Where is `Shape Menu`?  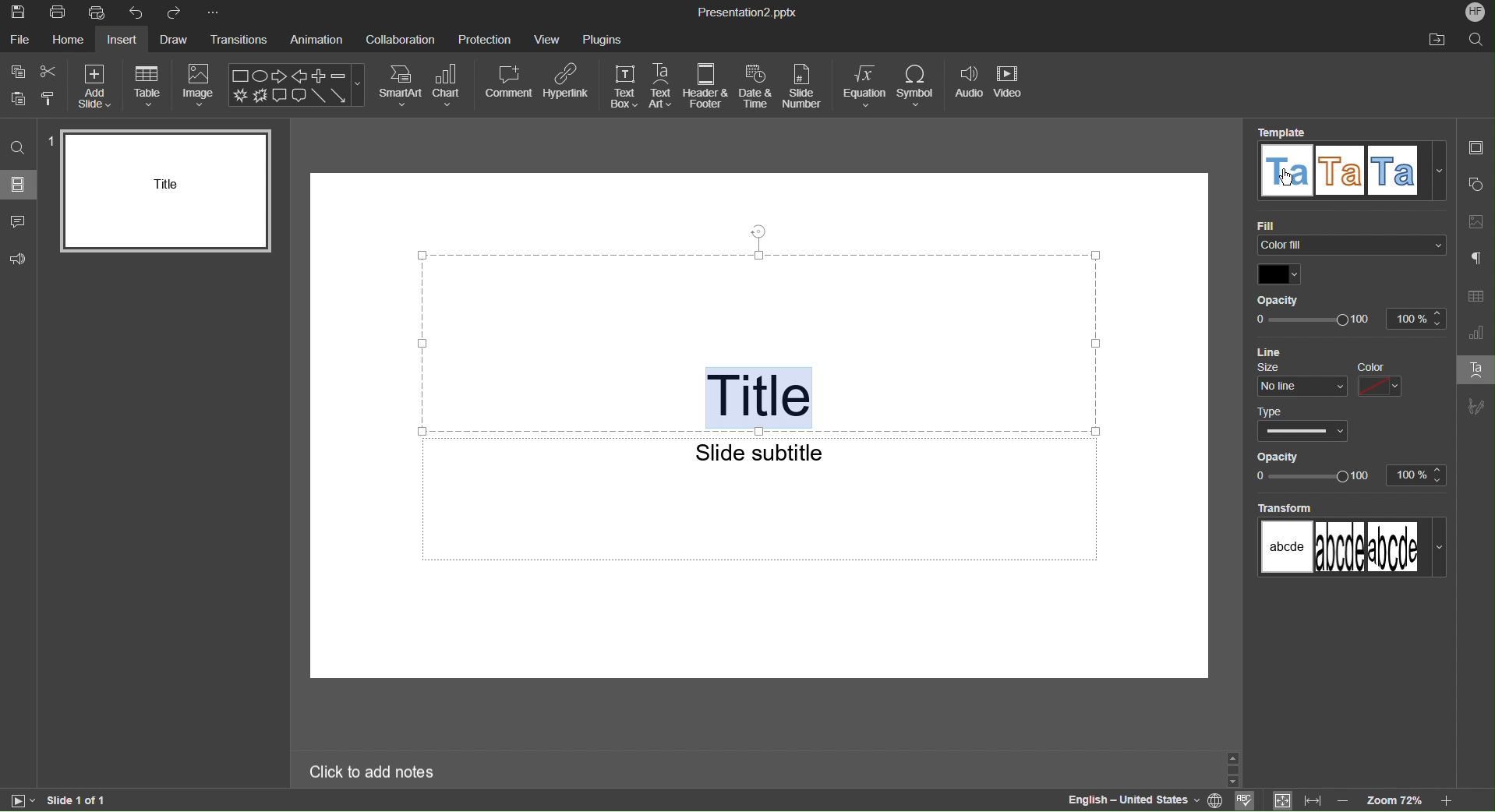
Shape Menu is located at coordinates (296, 85).